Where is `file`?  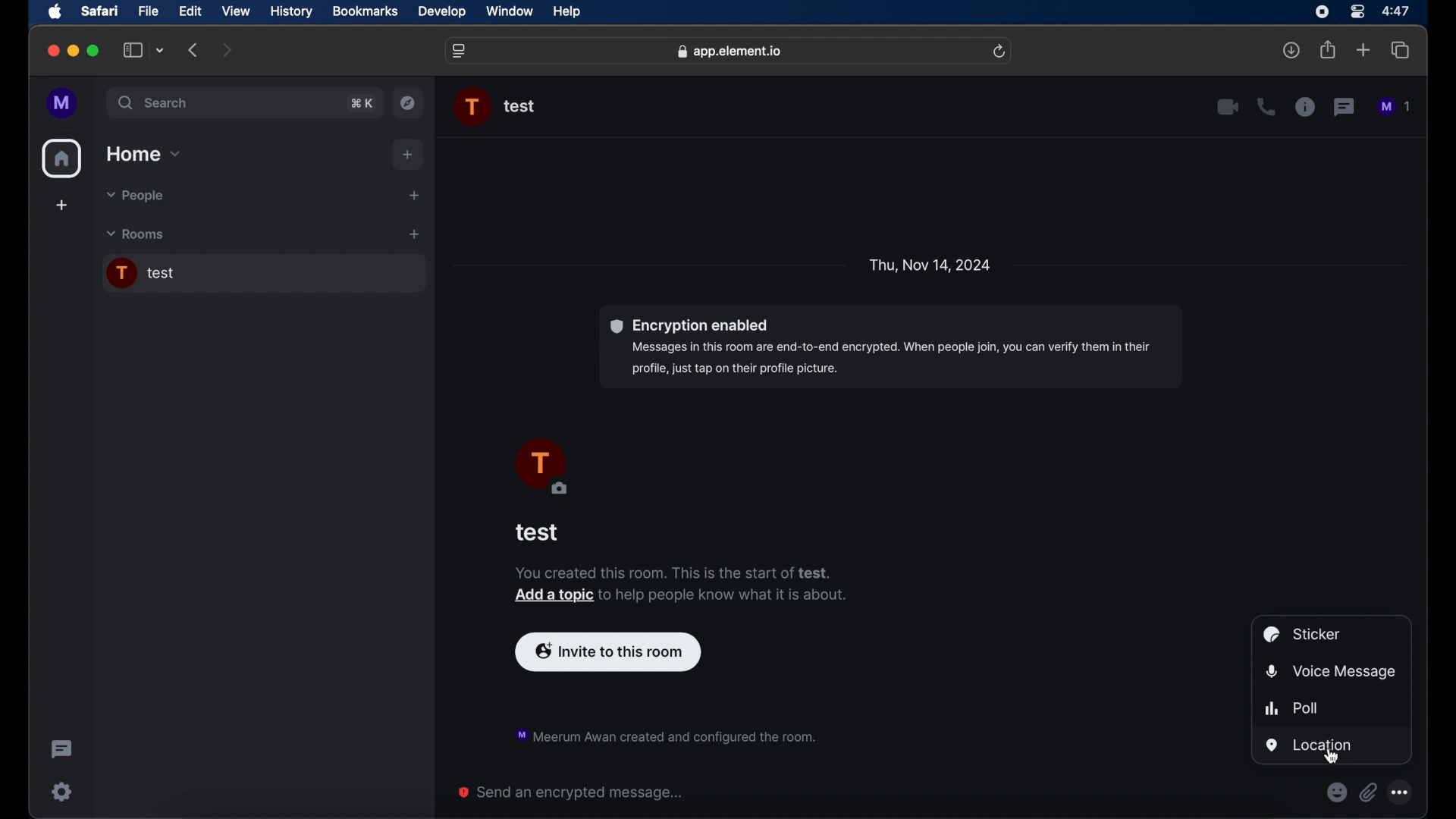
file is located at coordinates (149, 11).